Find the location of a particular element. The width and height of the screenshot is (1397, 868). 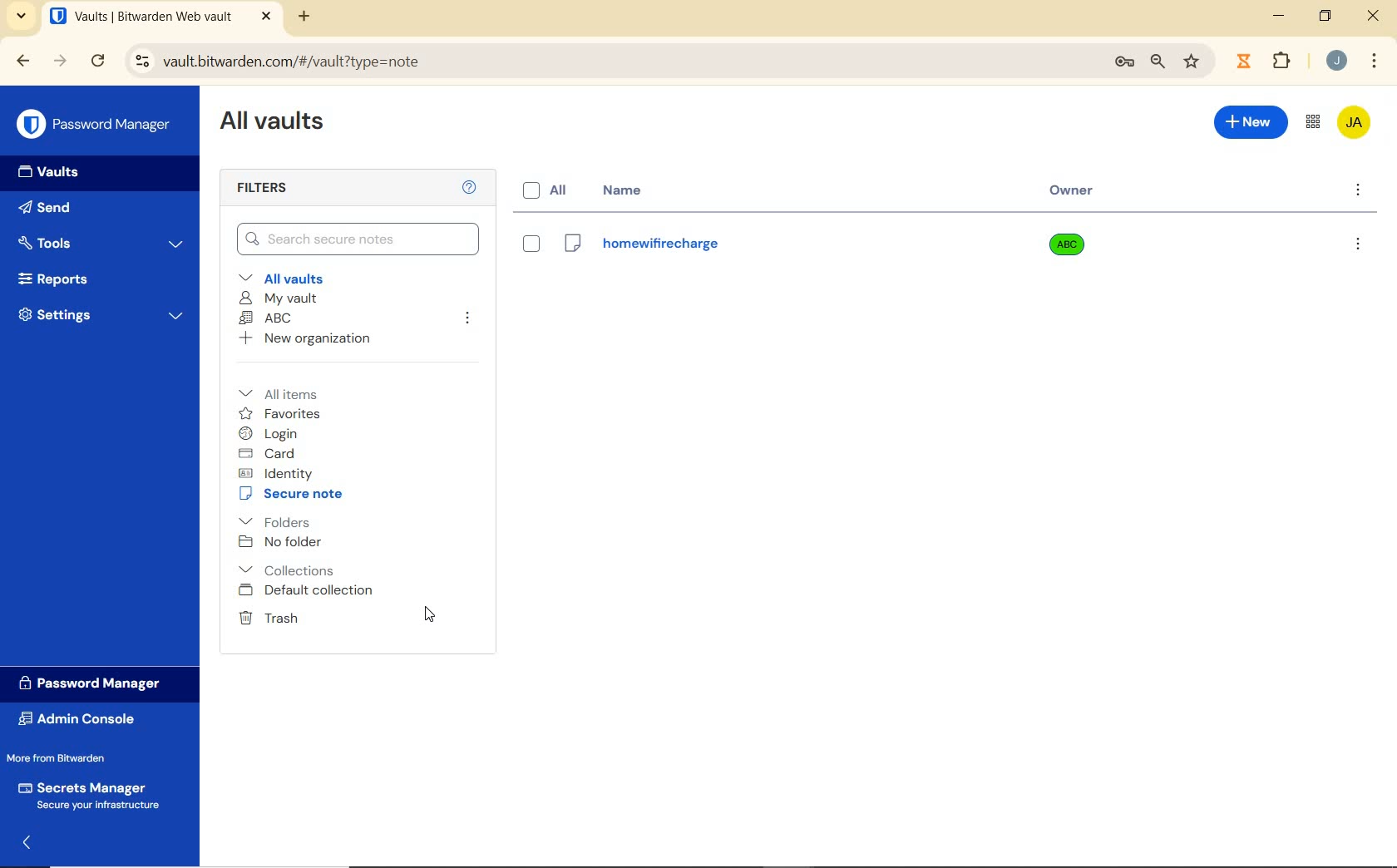

close is located at coordinates (1373, 15).